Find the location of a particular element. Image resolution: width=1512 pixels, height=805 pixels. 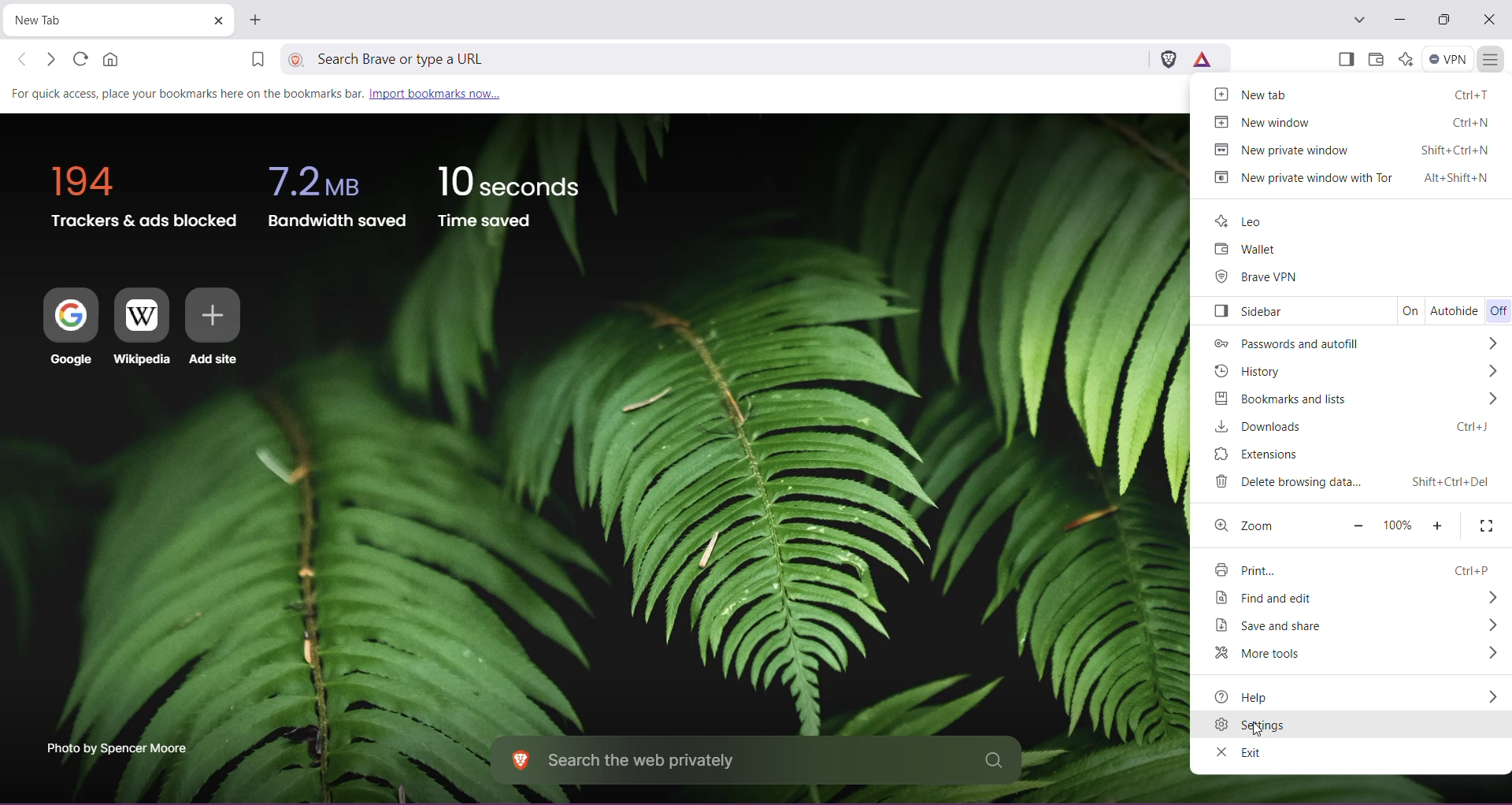

Reload this page is located at coordinates (78, 58).